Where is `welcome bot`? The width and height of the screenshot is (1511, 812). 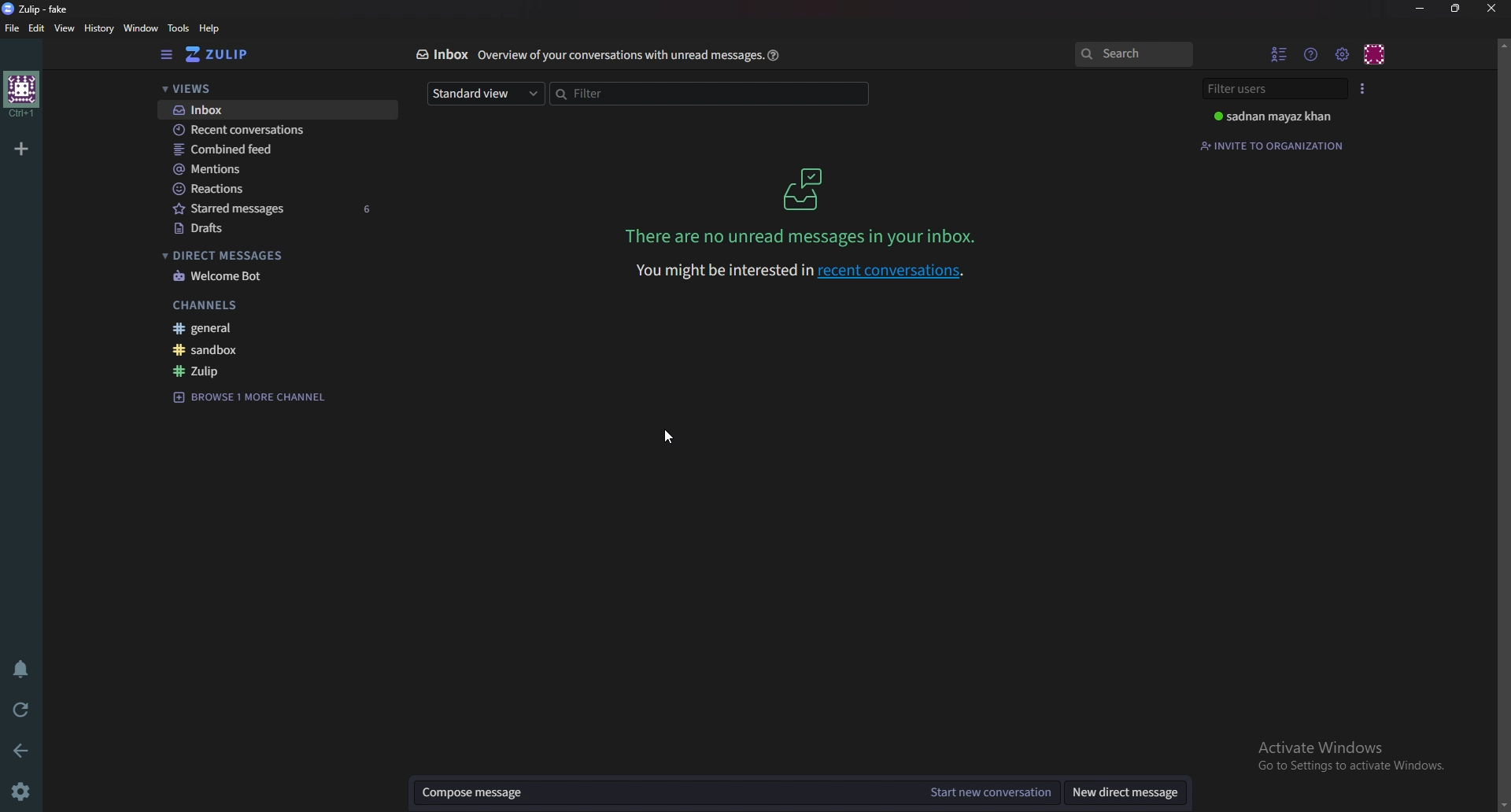
welcome bot is located at coordinates (283, 276).